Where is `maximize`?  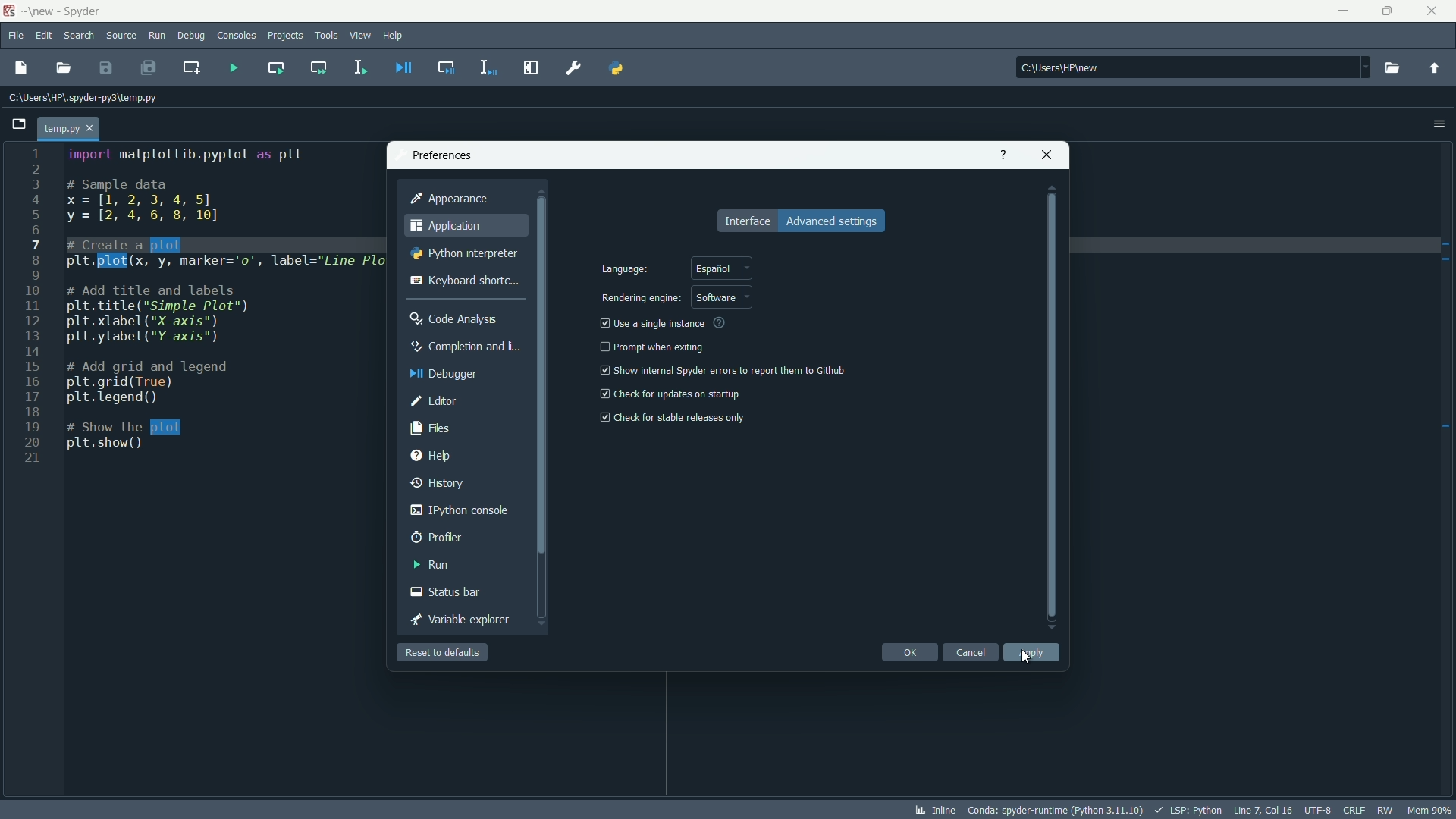 maximize is located at coordinates (1389, 11).